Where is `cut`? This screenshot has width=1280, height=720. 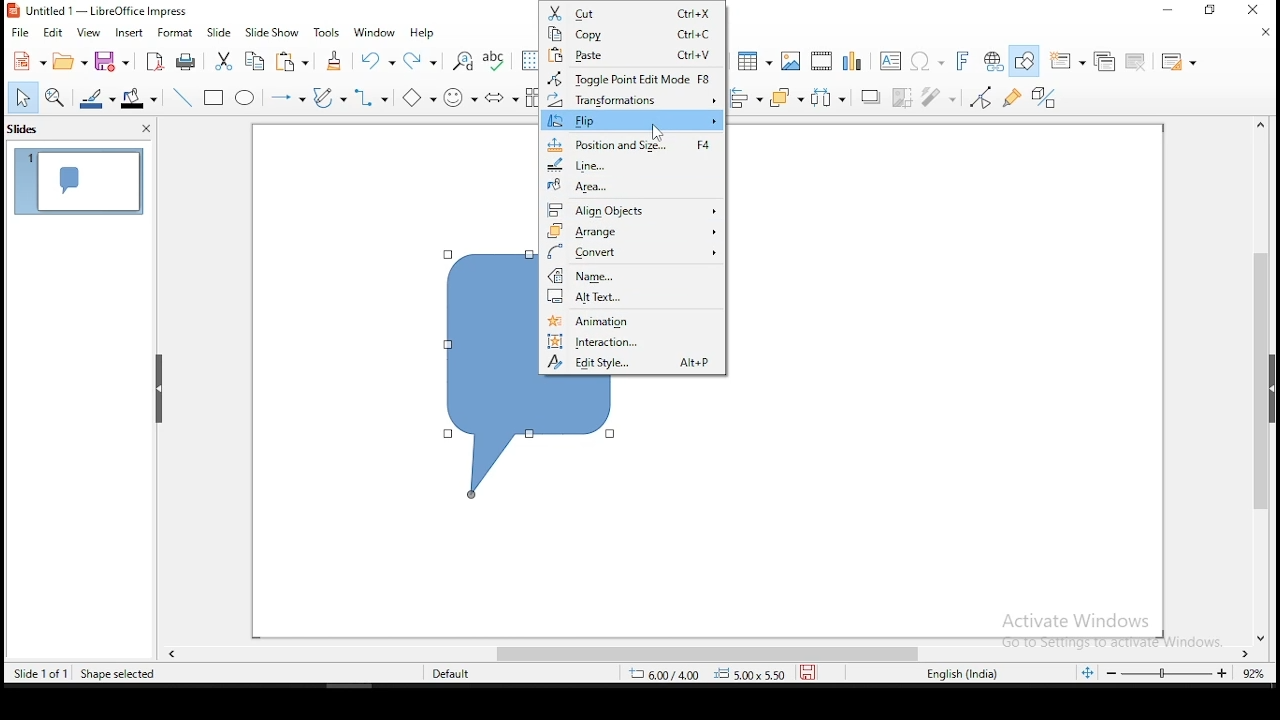 cut is located at coordinates (223, 61).